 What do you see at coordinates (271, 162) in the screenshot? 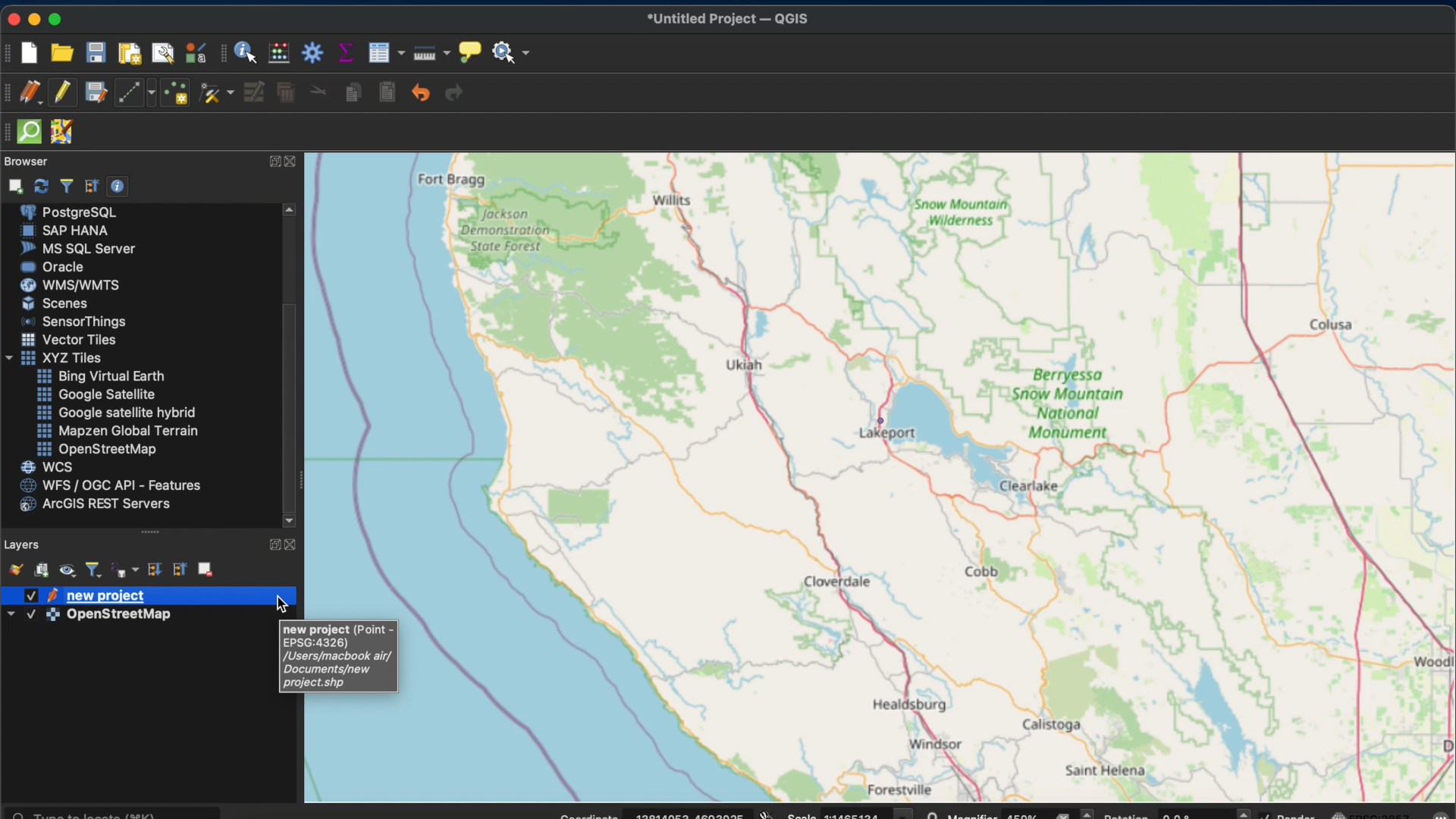
I see `expand` at bounding box center [271, 162].